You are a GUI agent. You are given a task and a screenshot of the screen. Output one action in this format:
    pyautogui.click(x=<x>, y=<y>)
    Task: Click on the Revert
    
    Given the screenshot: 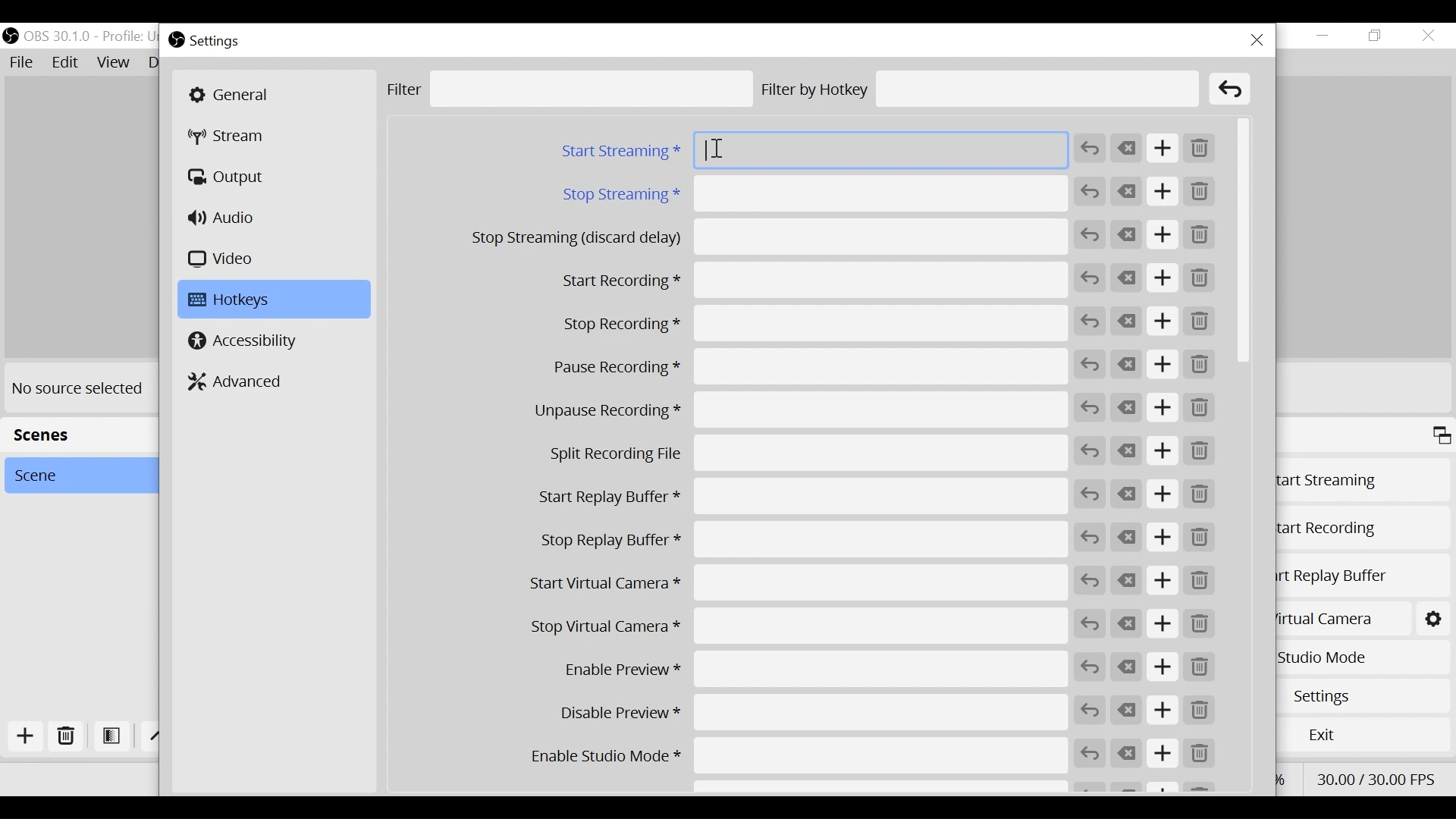 What is the action you would take?
    pyautogui.click(x=1089, y=667)
    